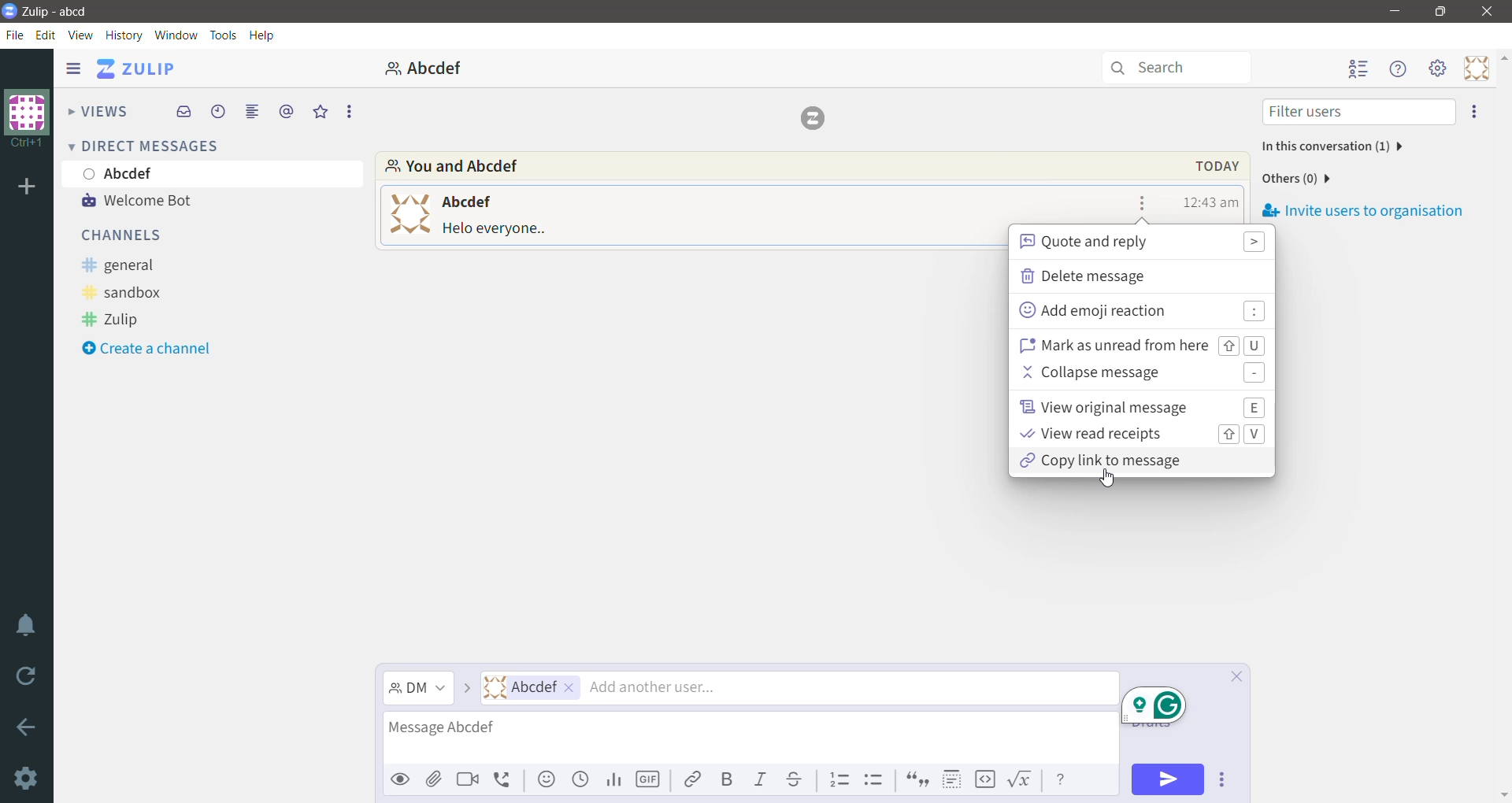 The width and height of the screenshot is (1512, 803). What do you see at coordinates (73, 68) in the screenshot?
I see `Show/Hide left sidebar` at bounding box center [73, 68].